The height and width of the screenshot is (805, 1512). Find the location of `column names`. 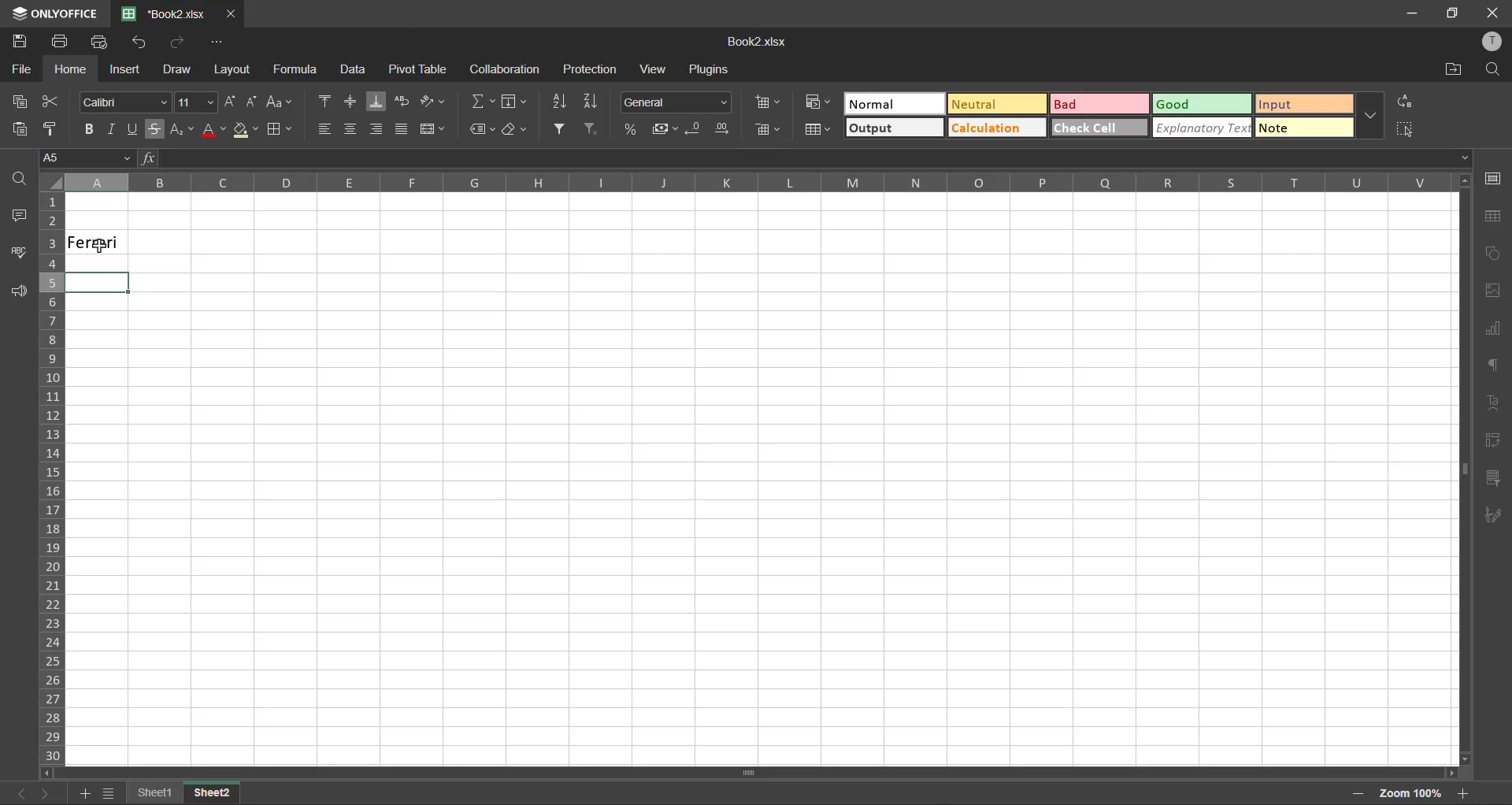

column names is located at coordinates (750, 184).